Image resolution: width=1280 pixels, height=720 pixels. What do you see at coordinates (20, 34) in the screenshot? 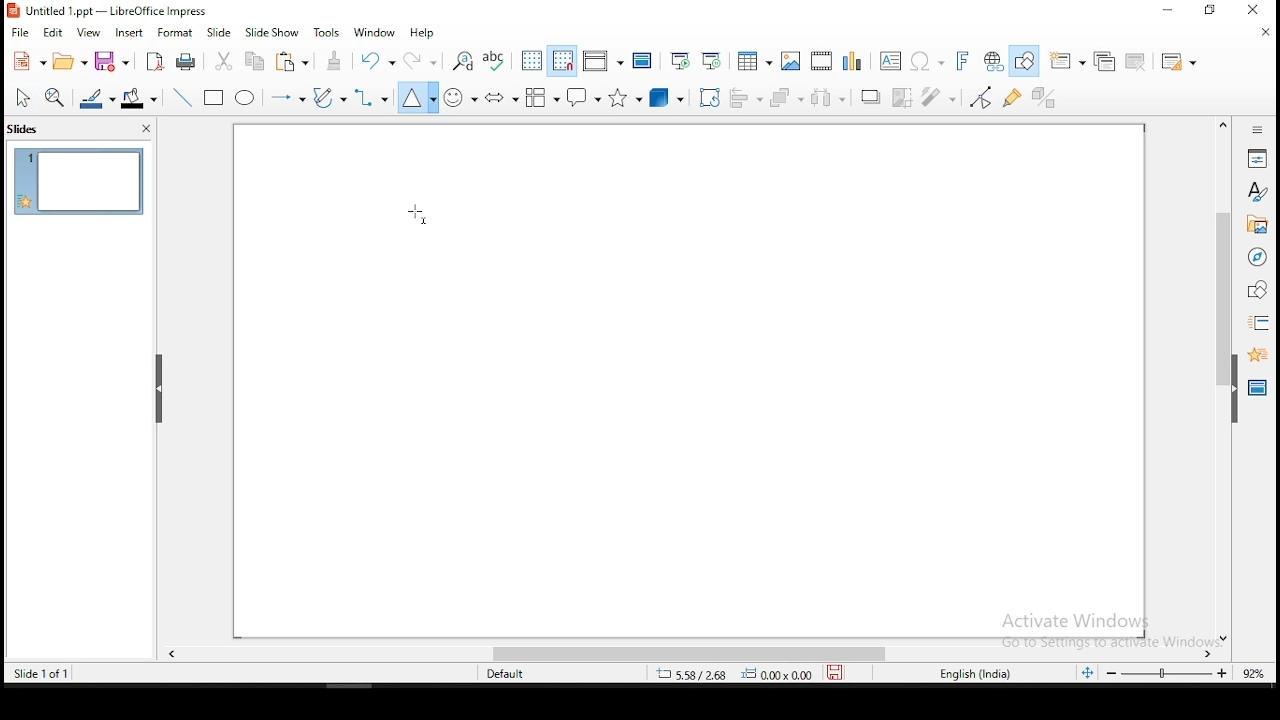
I see `file` at bounding box center [20, 34].